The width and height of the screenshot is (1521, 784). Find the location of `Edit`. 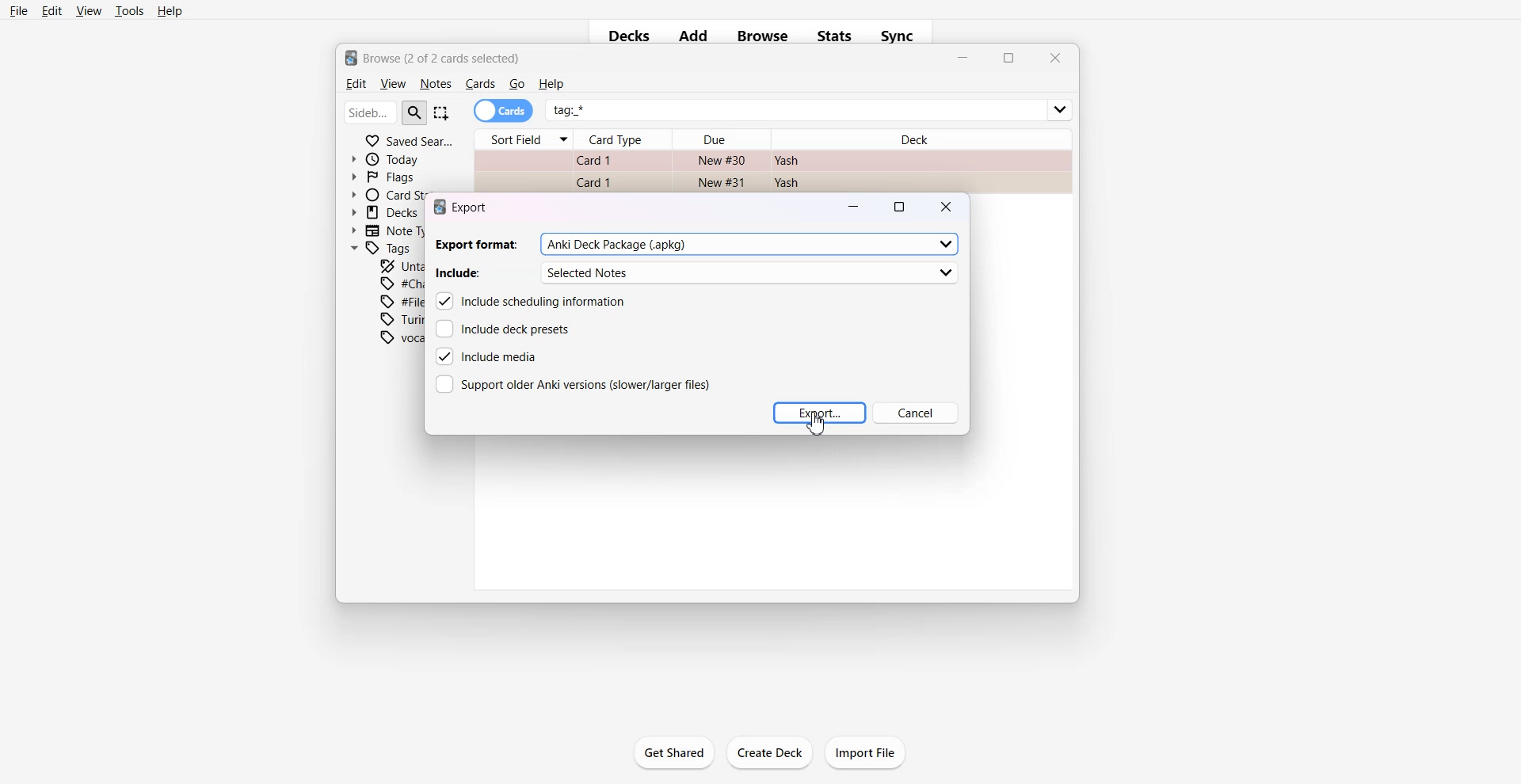

Edit is located at coordinates (354, 84).